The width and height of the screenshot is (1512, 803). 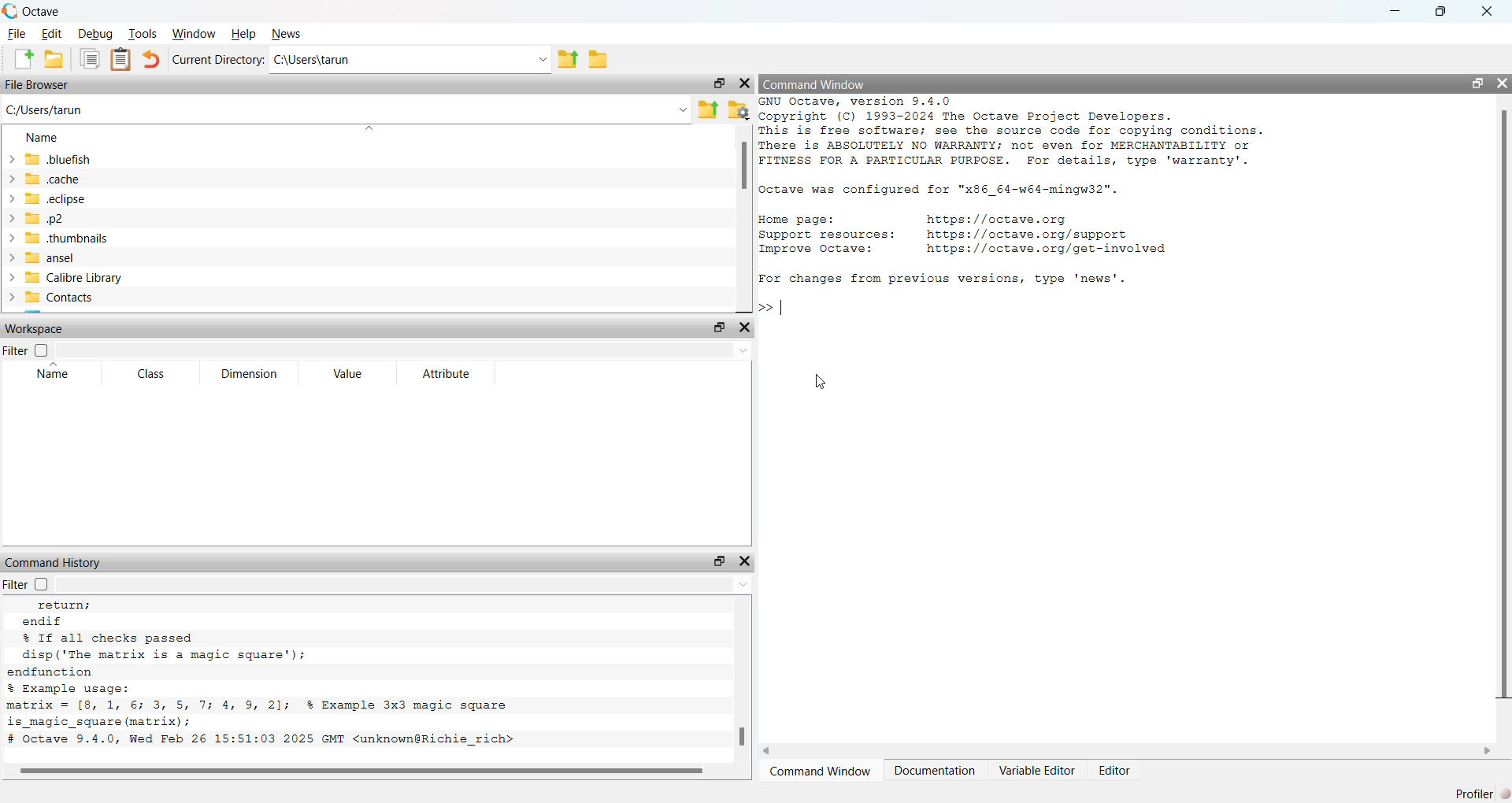 I want to click on Documentation, so click(x=934, y=770).